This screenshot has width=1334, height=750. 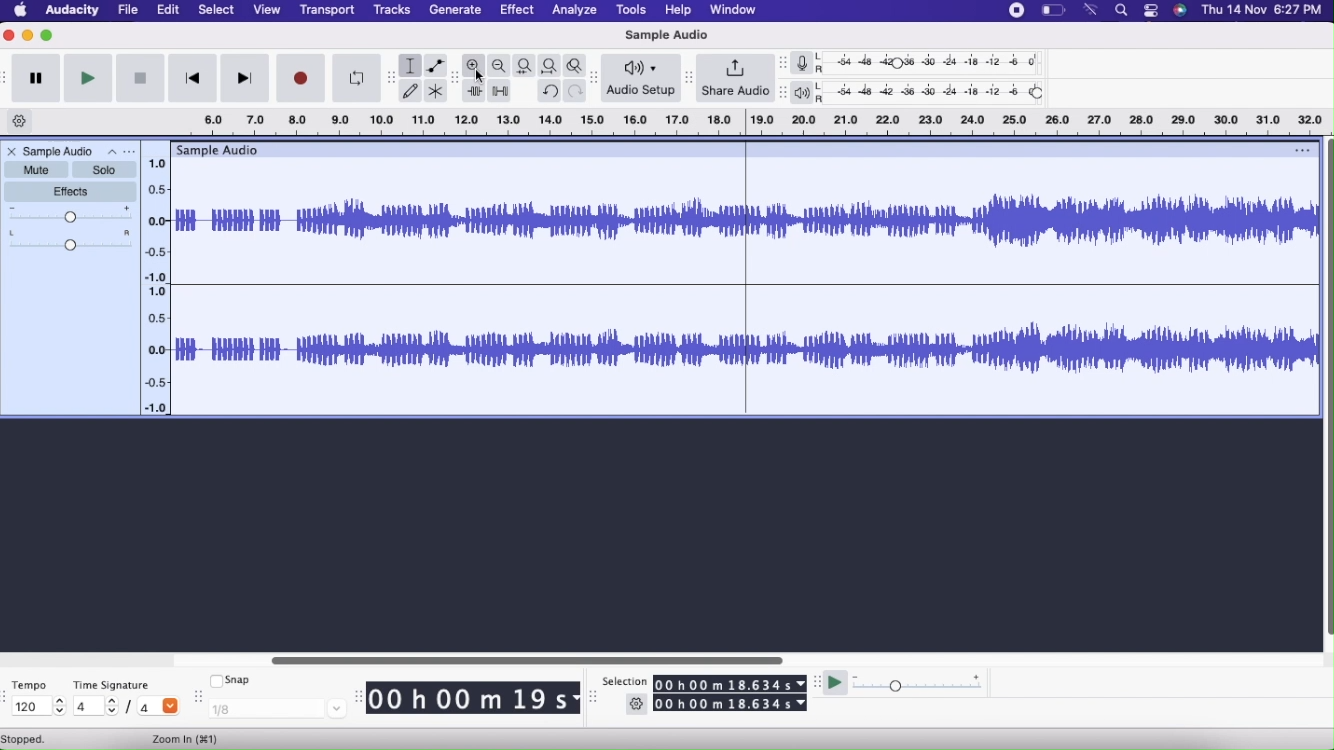 What do you see at coordinates (733, 10) in the screenshot?
I see `Window` at bounding box center [733, 10].